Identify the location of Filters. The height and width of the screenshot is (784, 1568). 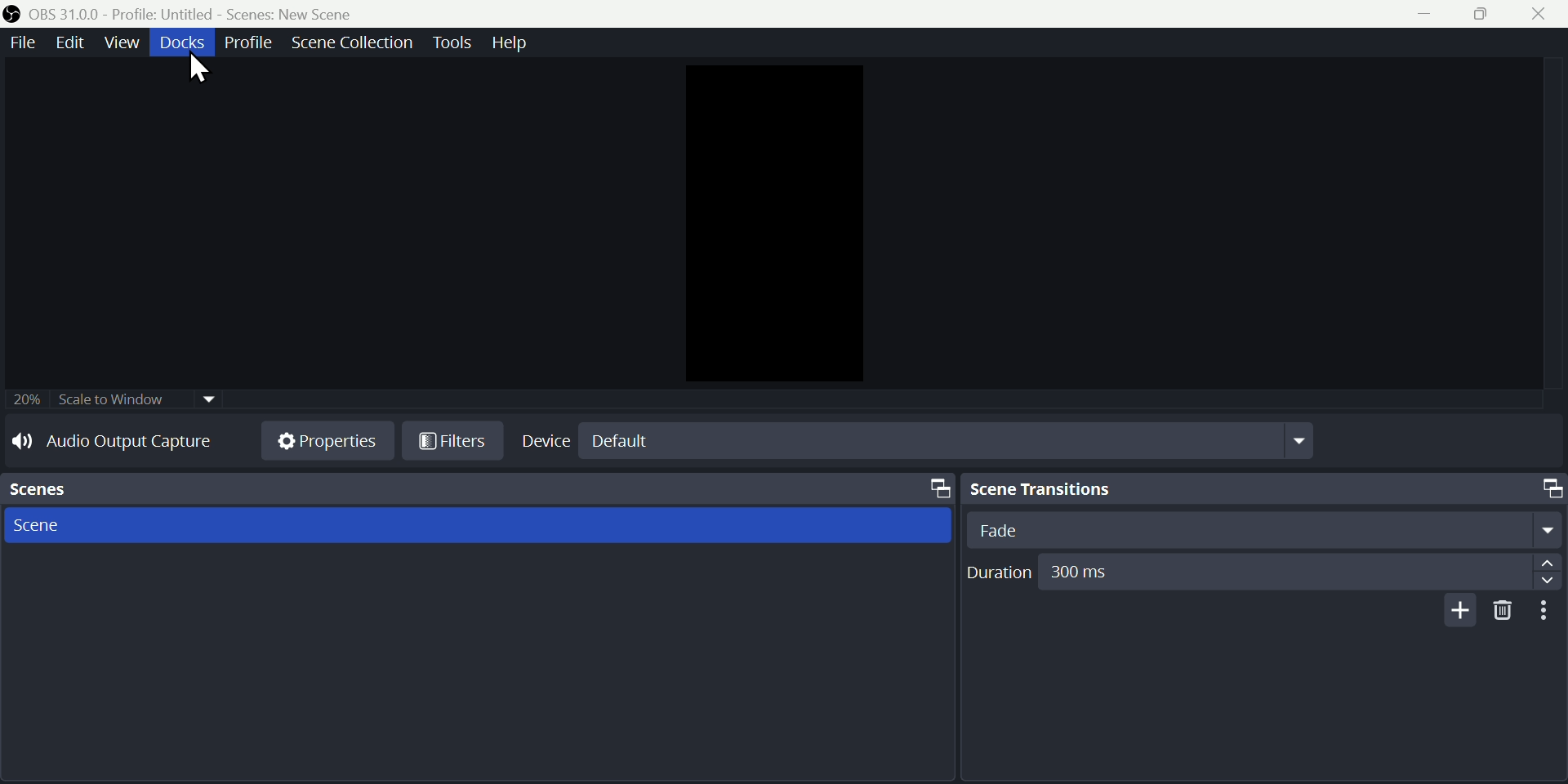
(450, 442).